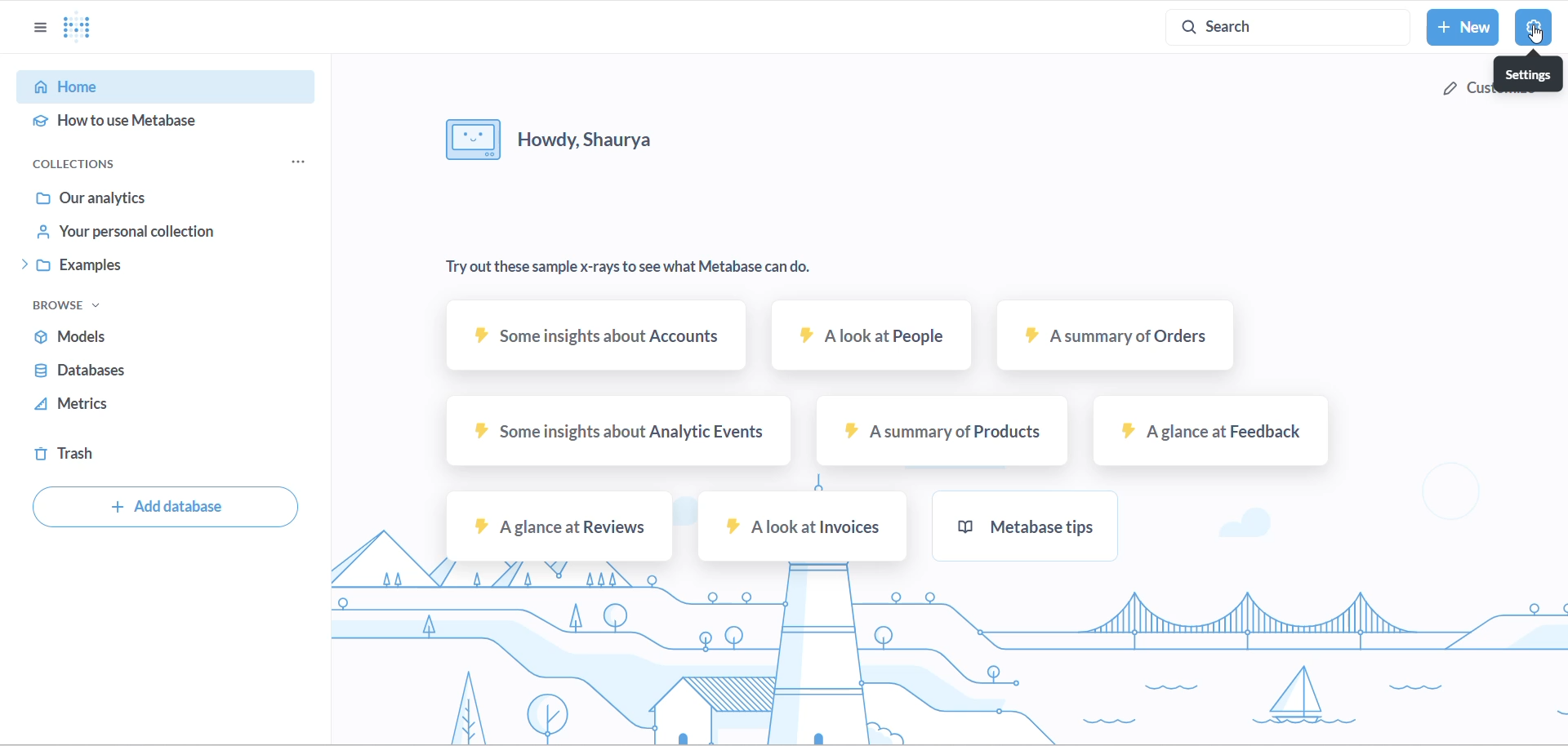 This screenshot has height=746, width=1568. What do you see at coordinates (1120, 336) in the screenshot?
I see `A summary of orders sample` at bounding box center [1120, 336].